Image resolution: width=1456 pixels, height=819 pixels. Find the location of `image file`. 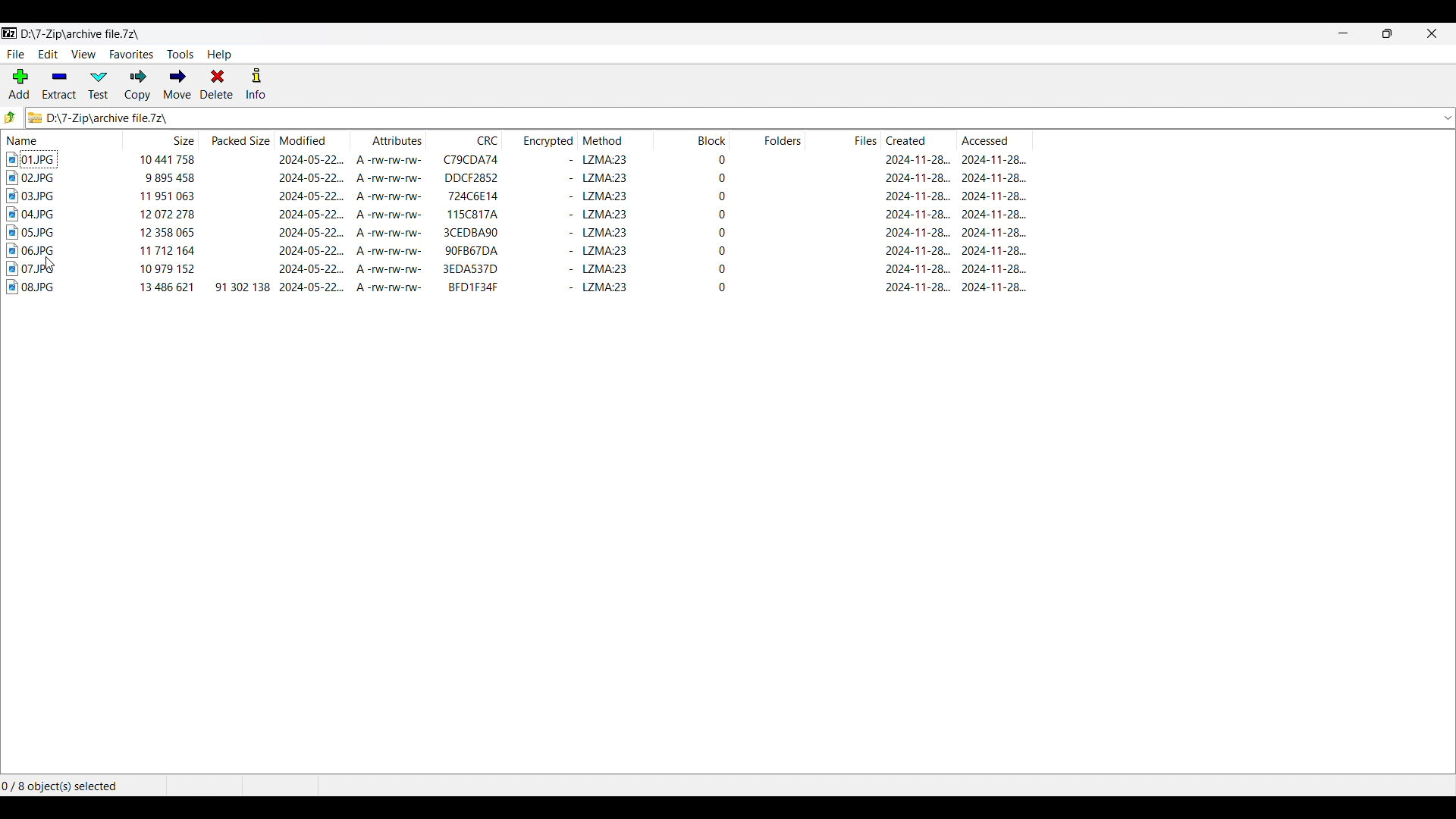

image file is located at coordinates (30, 196).